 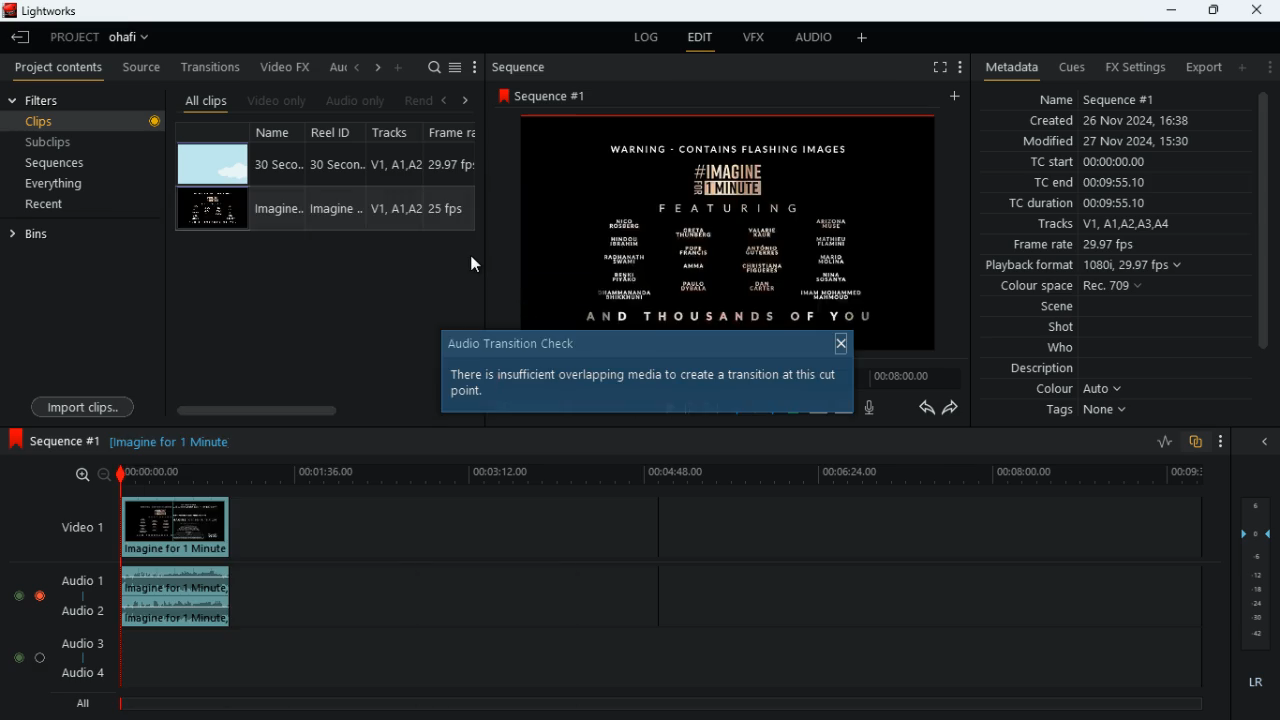 What do you see at coordinates (1252, 683) in the screenshot?
I see `LR` at bounding box center [1252, 683].